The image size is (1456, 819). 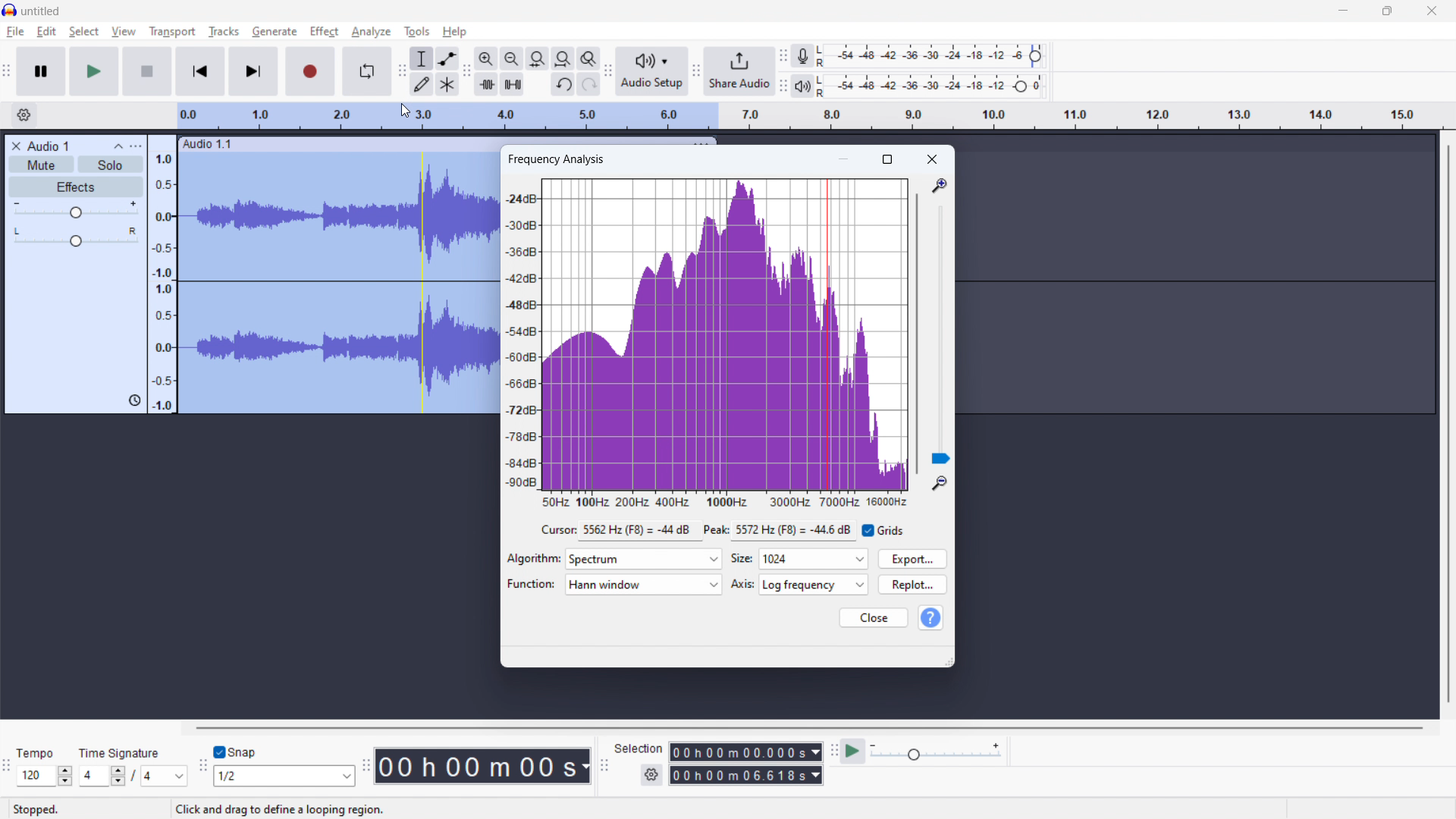 What do you see at coordinates (41, 72) in the screenshot?
I see `pause` at bounding box center [41, 72].